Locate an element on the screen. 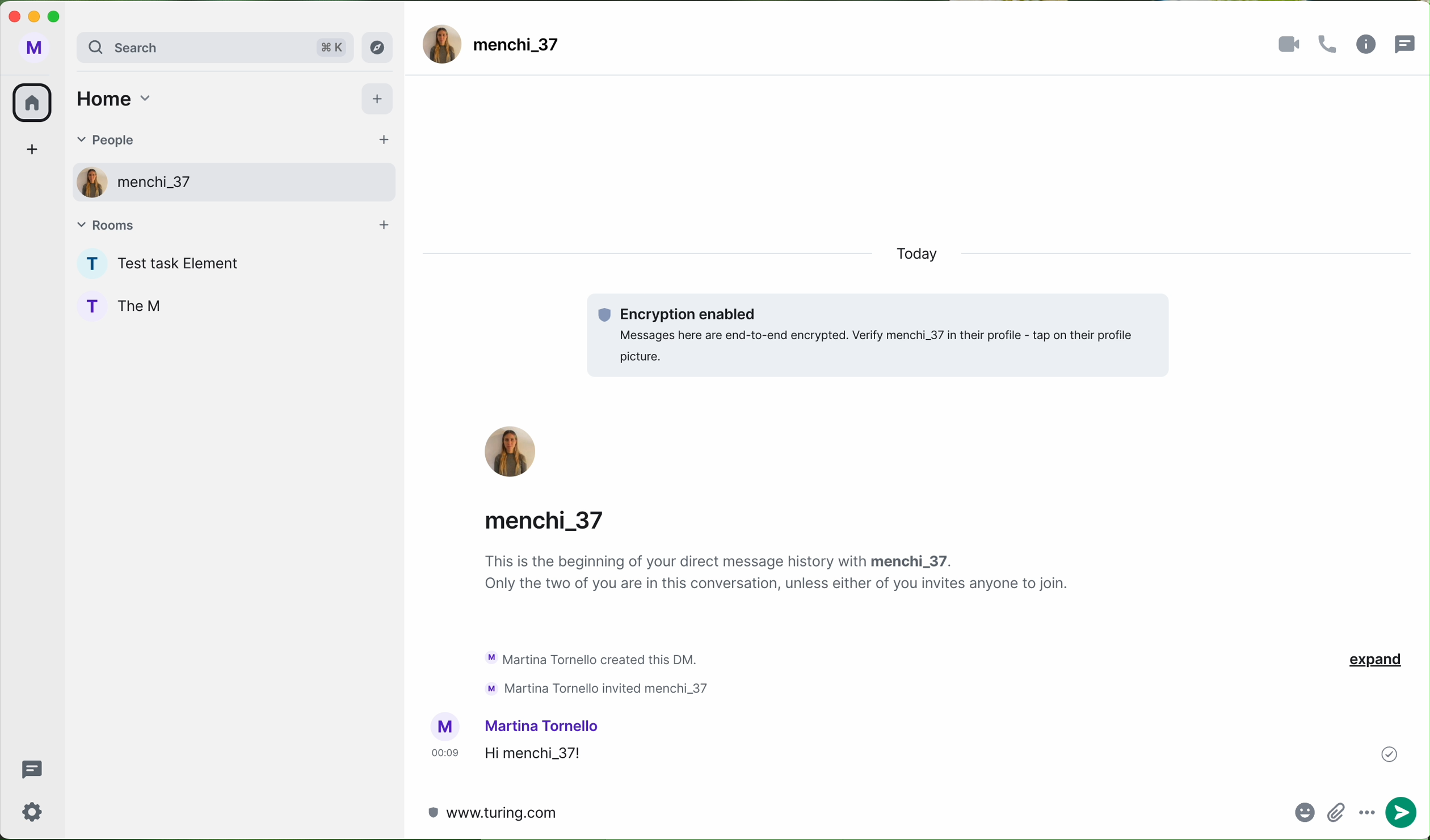  user is located at coordinates (155, 185).